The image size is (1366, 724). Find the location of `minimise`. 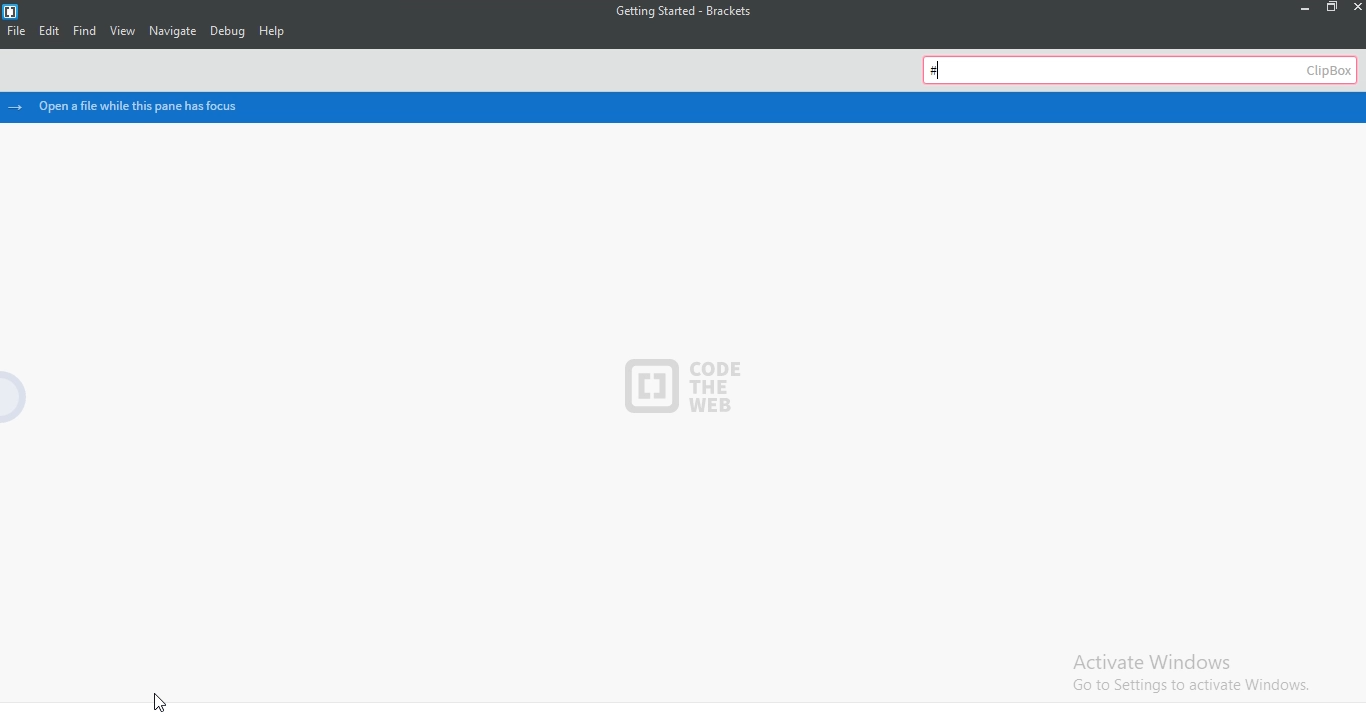

minimise is located at coordinates (1306, 10).